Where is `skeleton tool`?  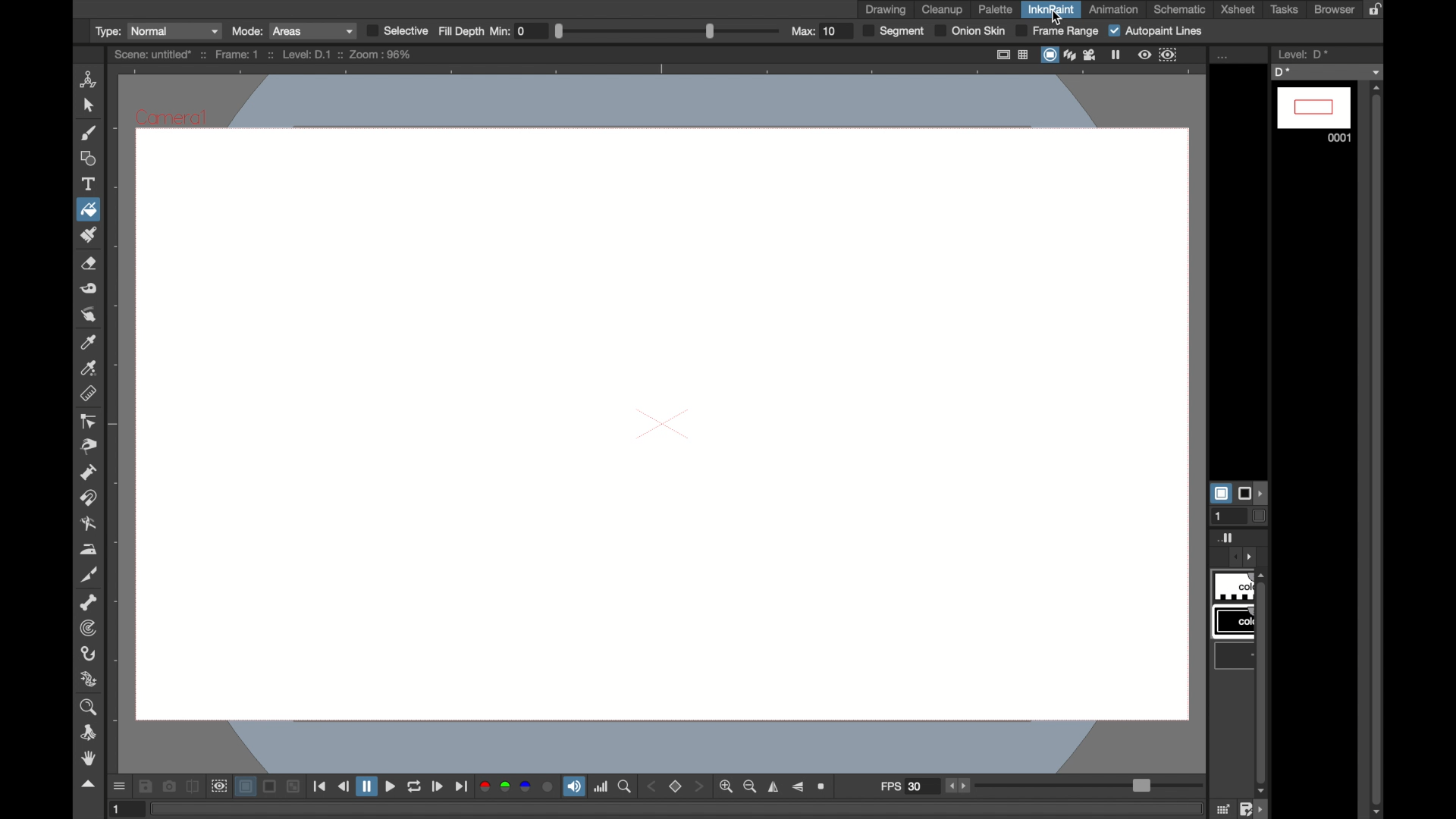 skeleton tool is located at coordinates (89, 603).